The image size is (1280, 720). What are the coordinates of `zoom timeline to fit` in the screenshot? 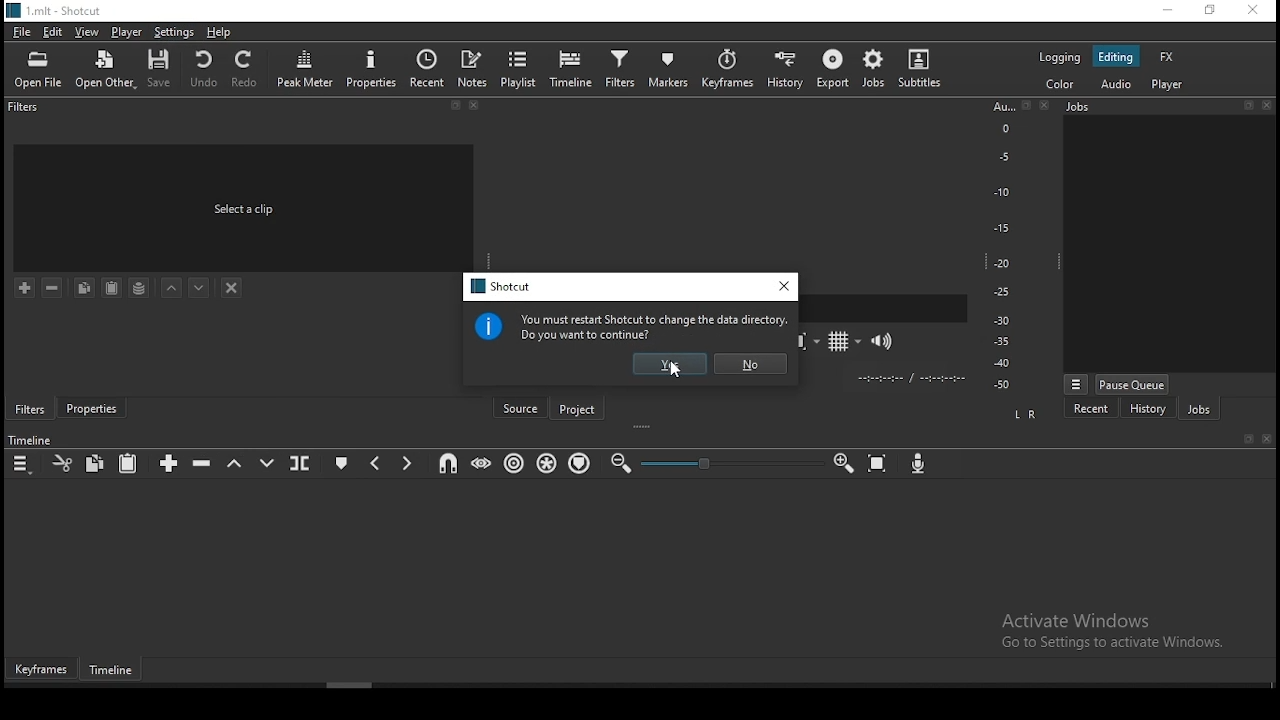 It's located at (879, 463).